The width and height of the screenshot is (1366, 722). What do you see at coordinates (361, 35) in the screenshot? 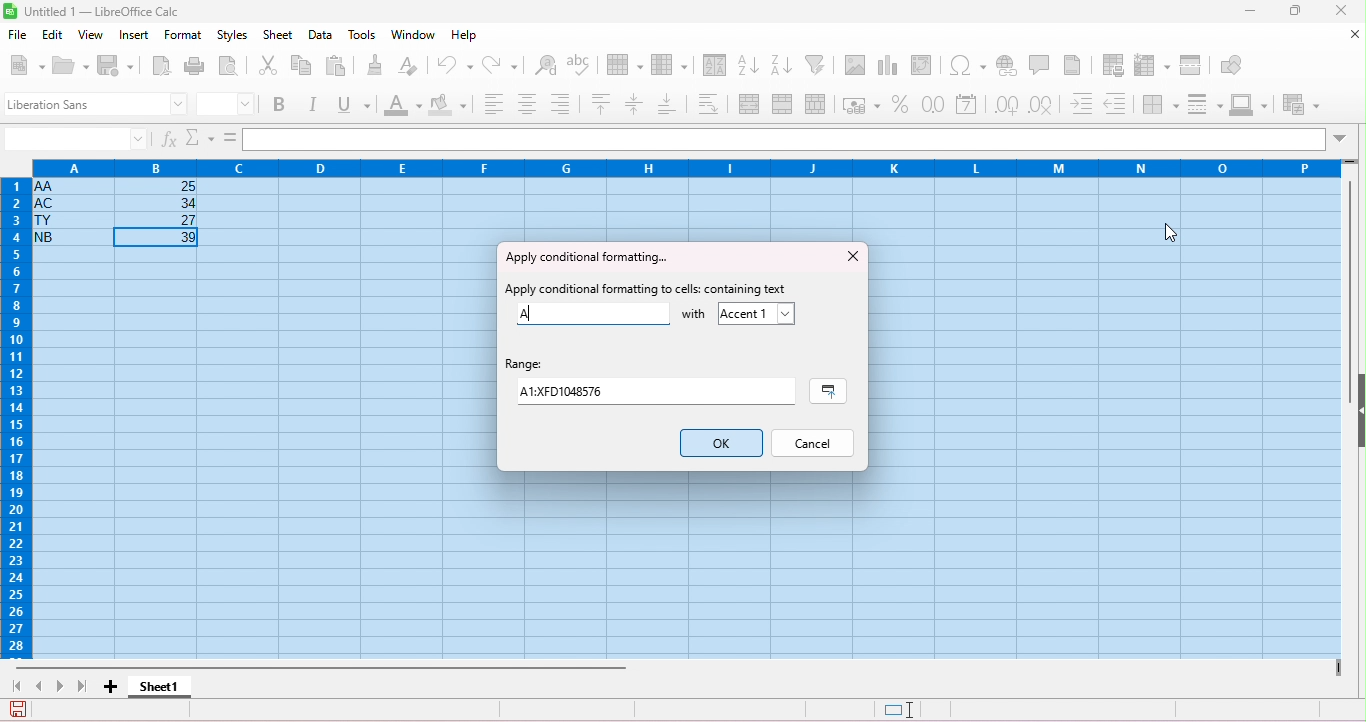
I see `tools` at bounding box center [361, 35].